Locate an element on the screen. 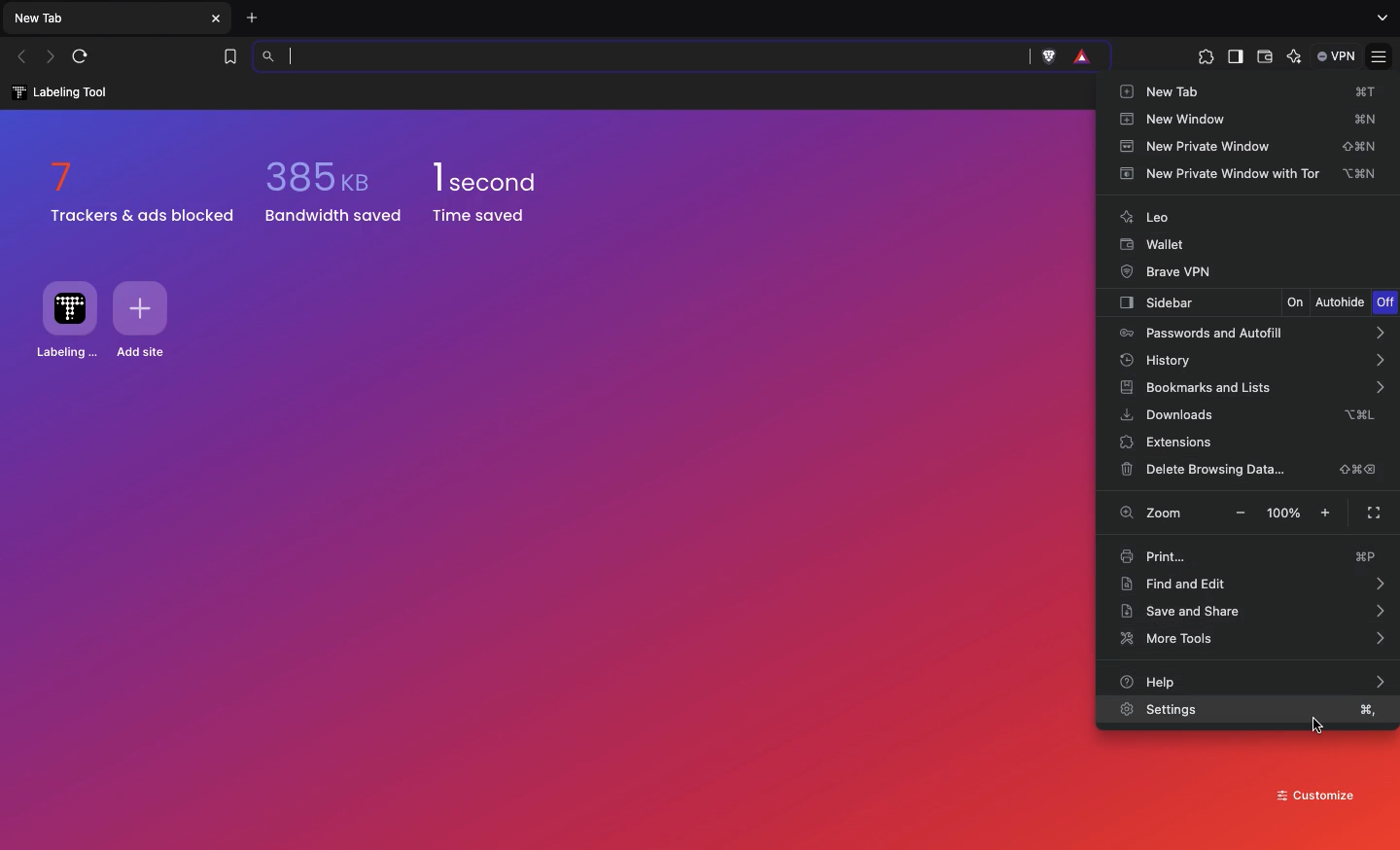  1 second Time saved is located at coordinates (511, 194).